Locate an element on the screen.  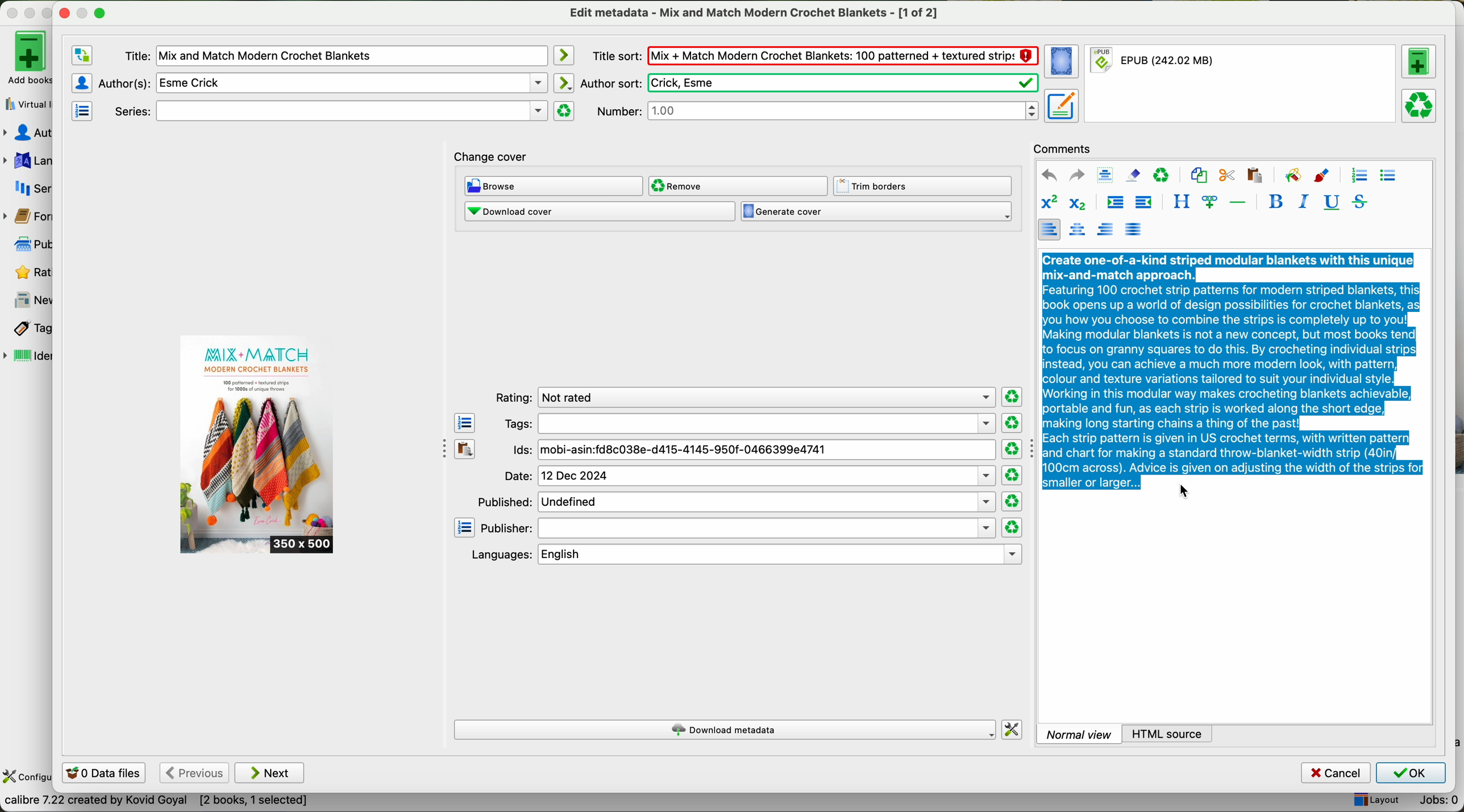
publisher is located at coordinates (738, 528).